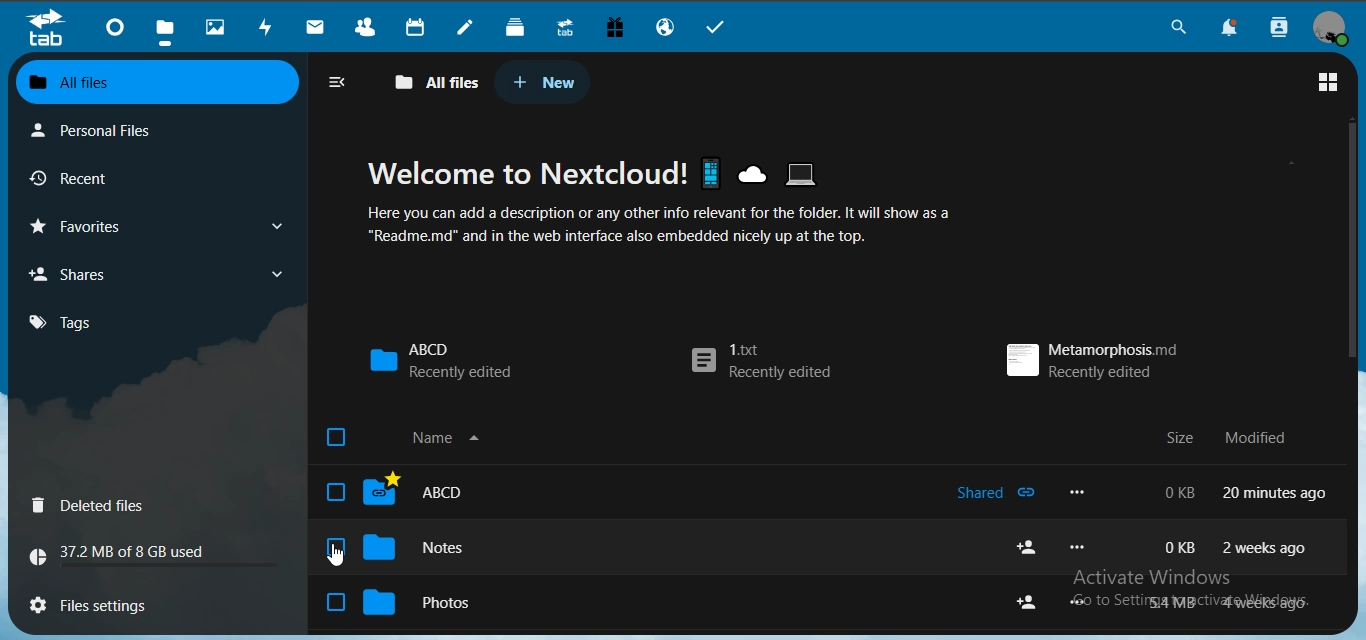 The image size is (1366, 640). Describe the element at coordinates (1026, 546) in the screenshot. I see `share` at that location.